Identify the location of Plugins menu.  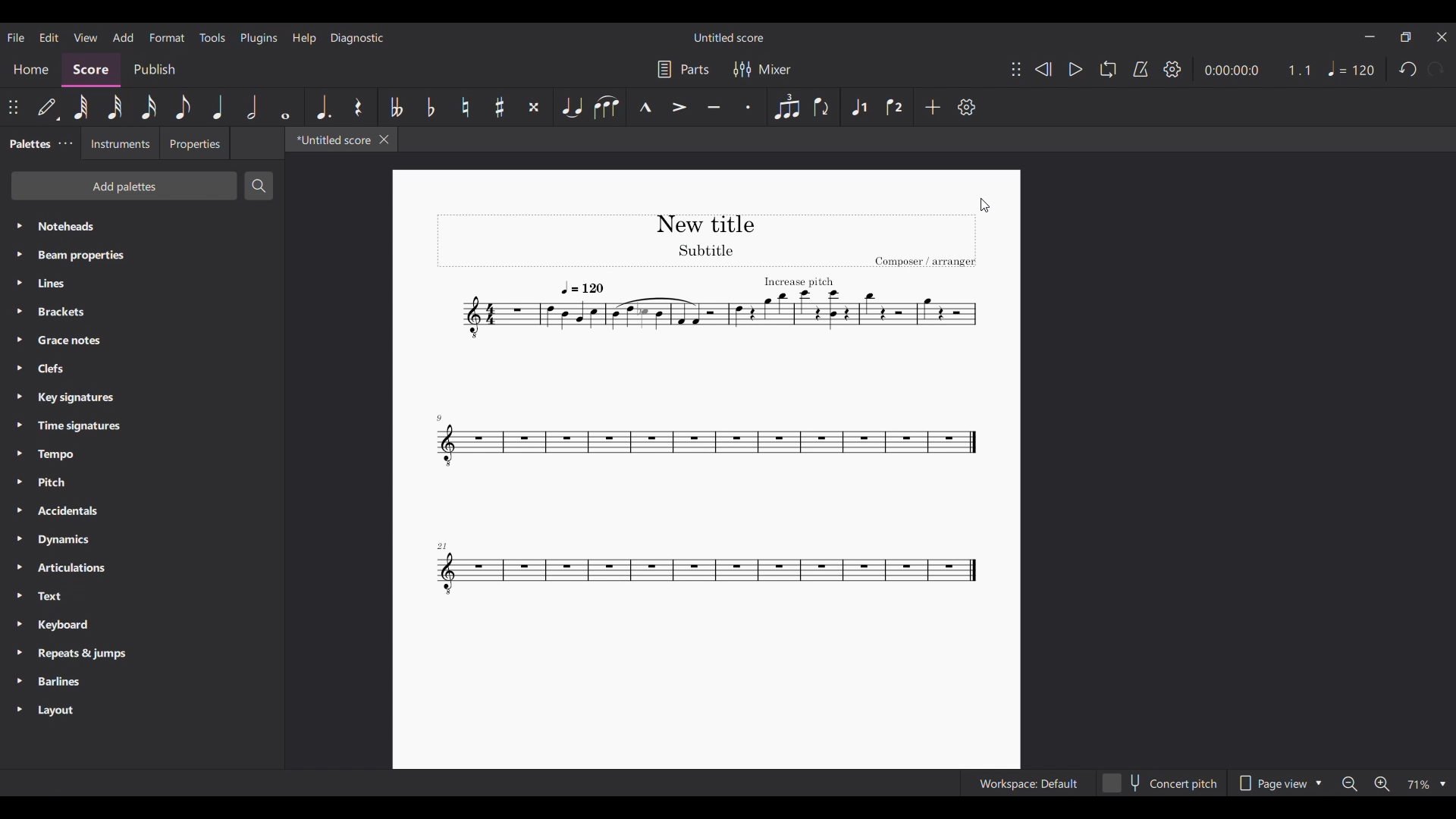
(259, 38).